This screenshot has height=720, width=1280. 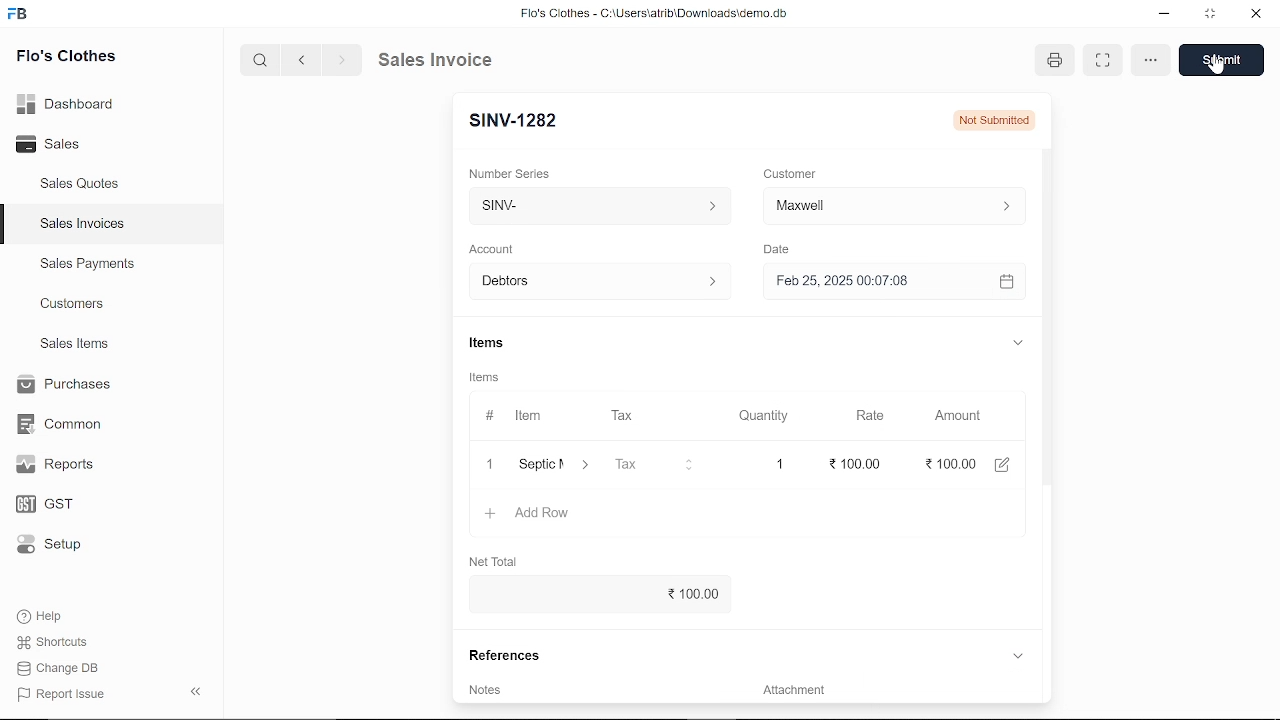 I want to click on options, so click(x=1152, y=60).